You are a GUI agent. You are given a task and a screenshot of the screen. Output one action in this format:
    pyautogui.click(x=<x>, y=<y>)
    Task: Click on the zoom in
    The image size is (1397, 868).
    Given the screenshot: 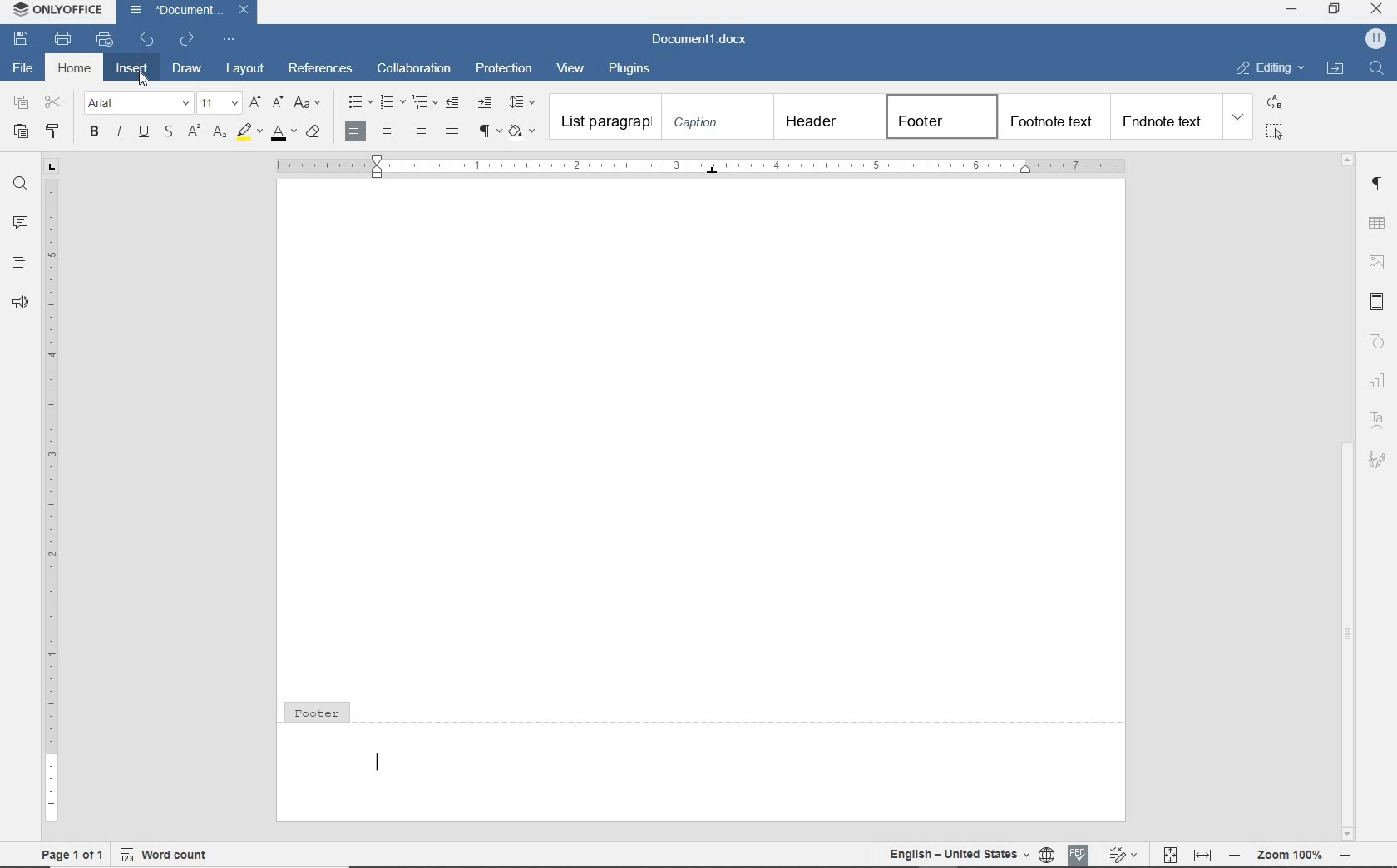 What is the action you would take?
    pyautogui.click(x=1347, y=856)
    